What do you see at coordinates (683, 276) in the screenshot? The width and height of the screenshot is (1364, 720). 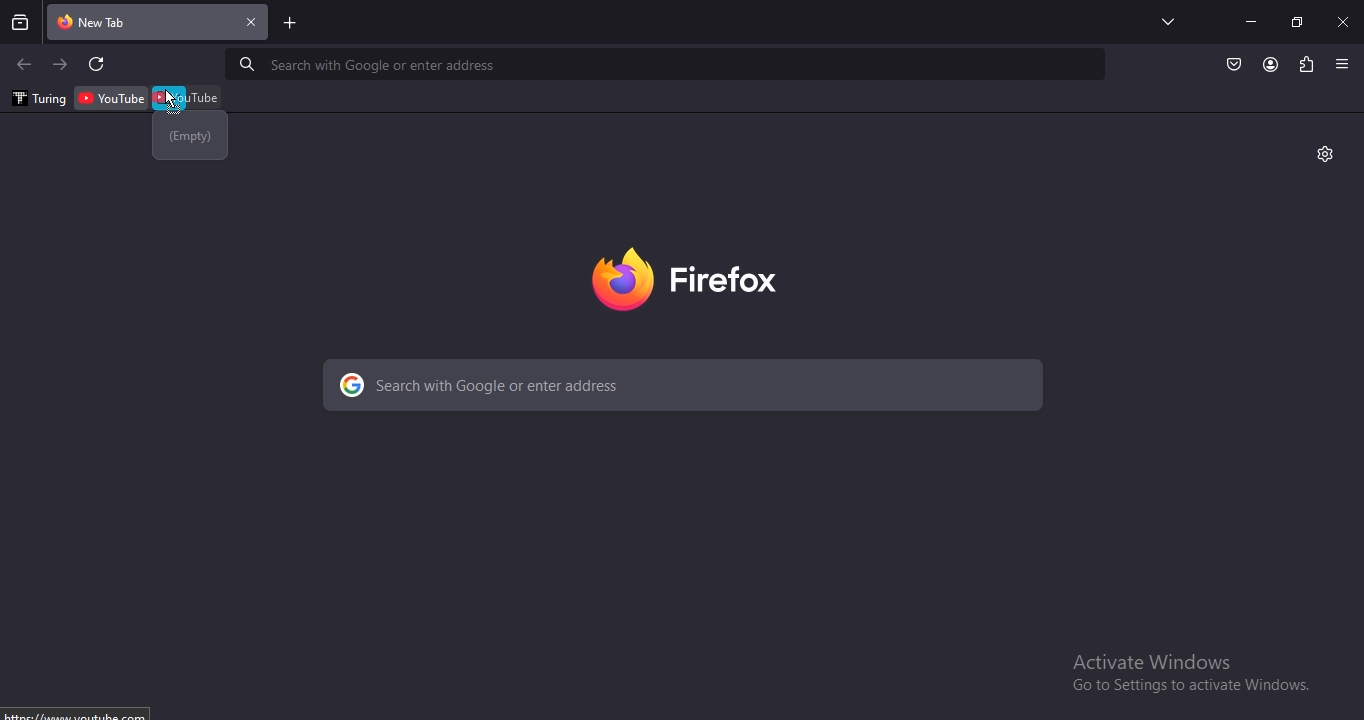 I see `firebox` at bounding box center [683, 276].